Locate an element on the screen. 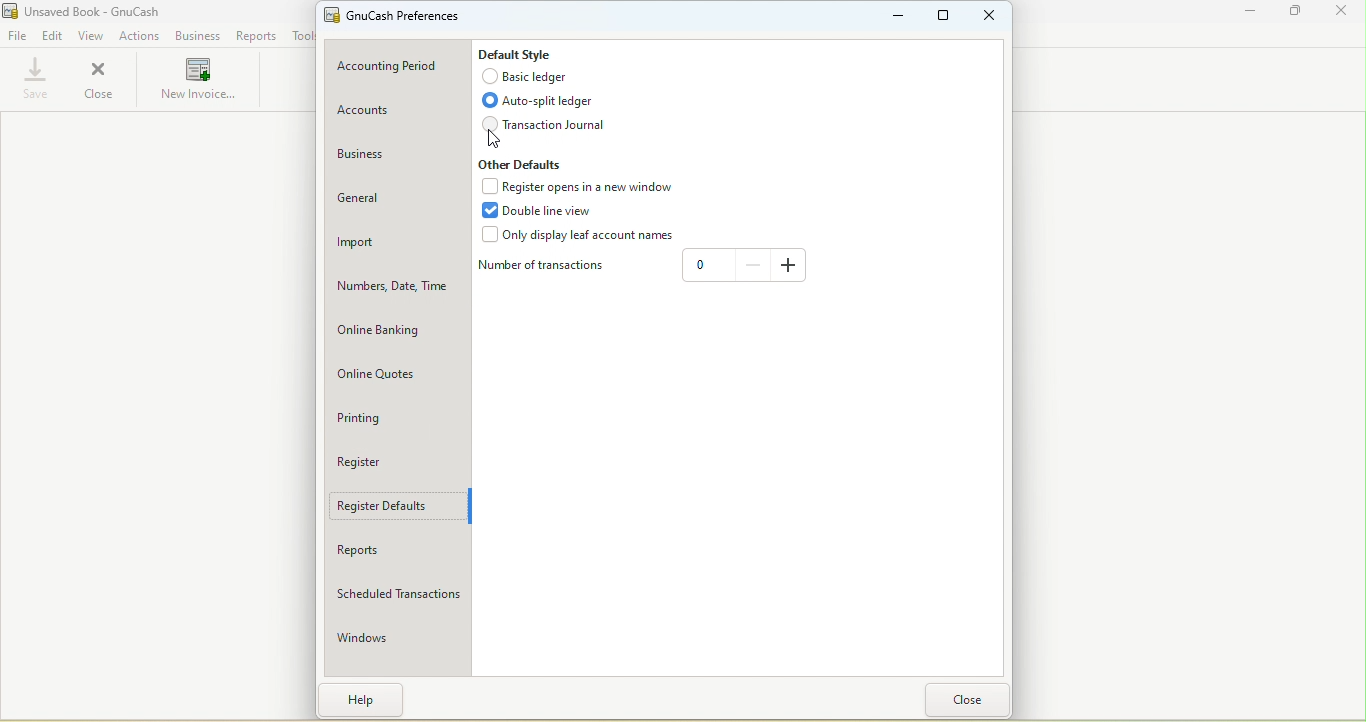 This screenshot has width=1366, height=722. Double line view is located at coordinates (540, 211).